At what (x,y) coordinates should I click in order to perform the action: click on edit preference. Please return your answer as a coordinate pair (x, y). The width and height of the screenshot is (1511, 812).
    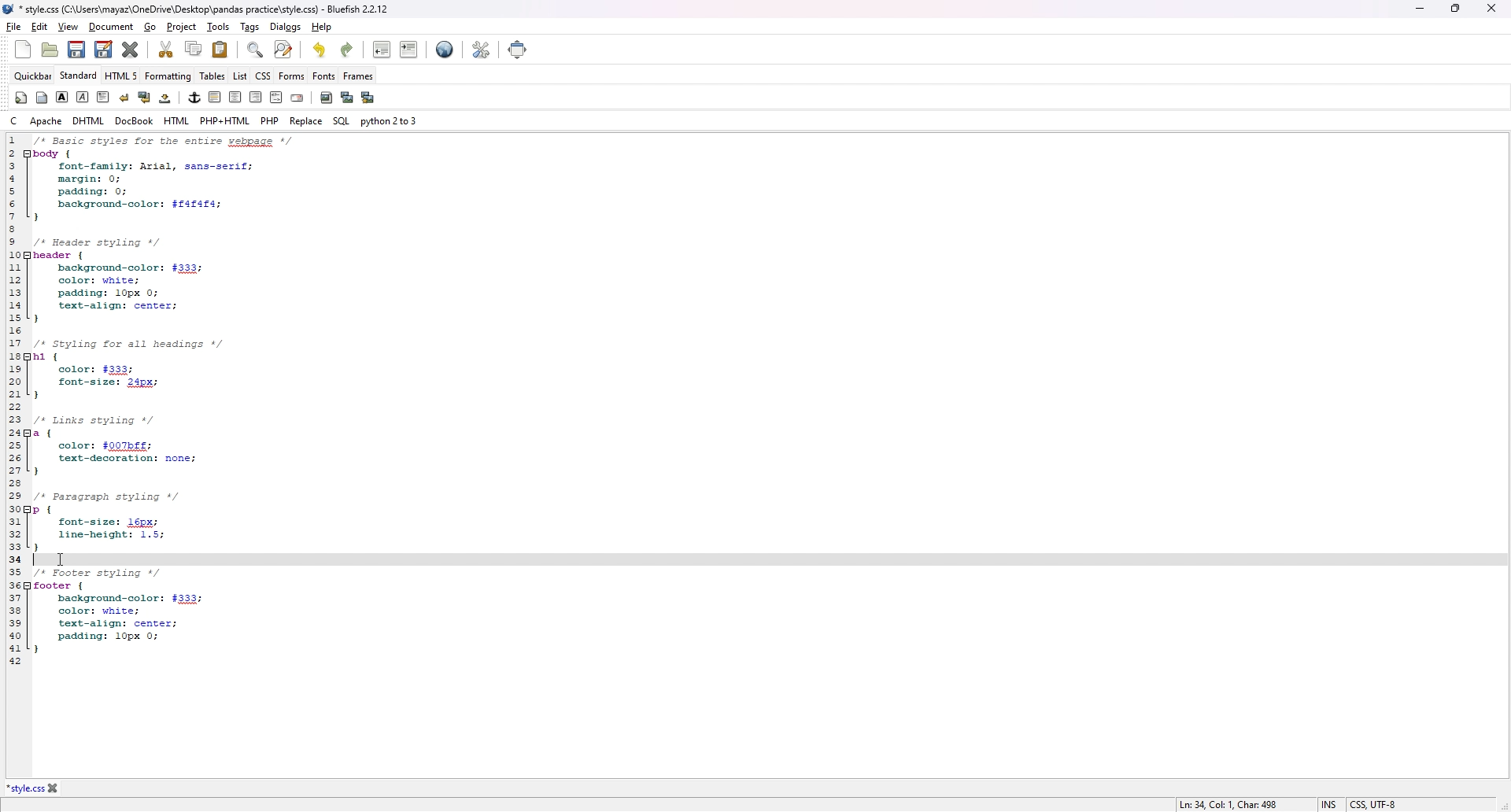
    Looking at the image, I should click on (482, 50).